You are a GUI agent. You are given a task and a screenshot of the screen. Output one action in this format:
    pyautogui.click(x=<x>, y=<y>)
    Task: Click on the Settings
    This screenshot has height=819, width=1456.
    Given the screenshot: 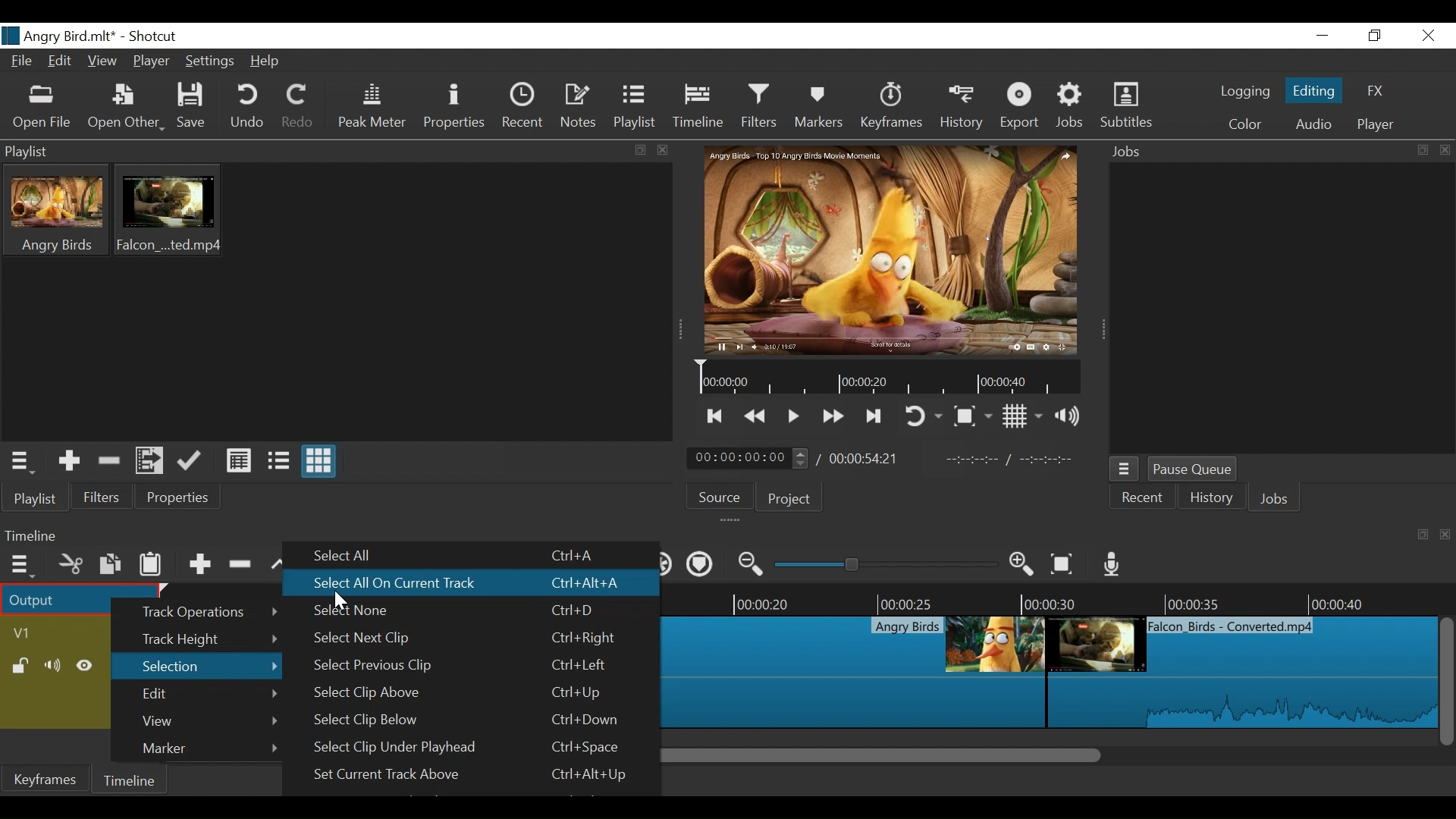 What is the action you would take?
    pyautogui.click(x=210, y=62)
    